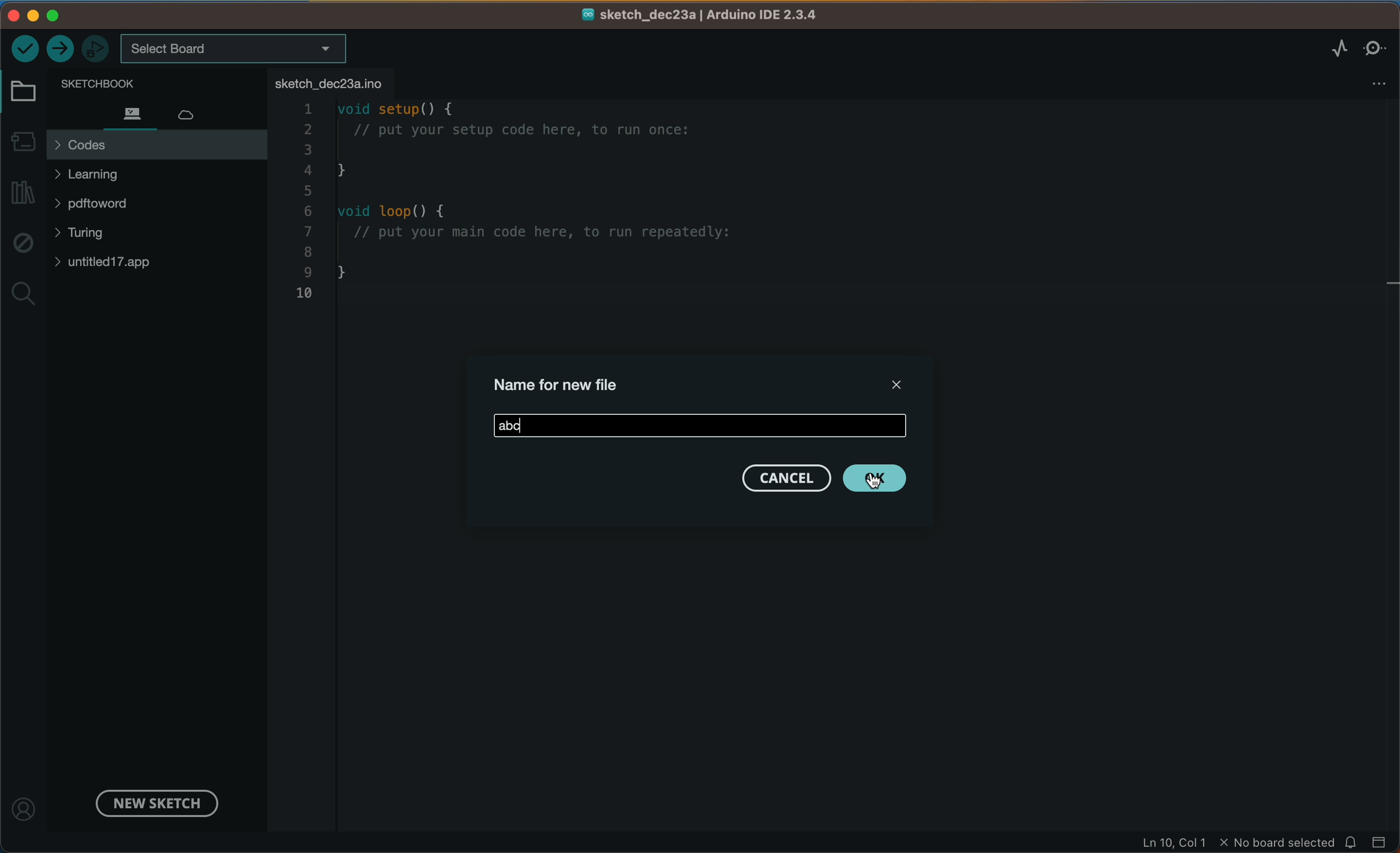 The height and width of the screenshot is (853, 1400). What do you see at coordinates (23, 139) in the screenshot?
I see `board manager` at bounding box center [23, 139].